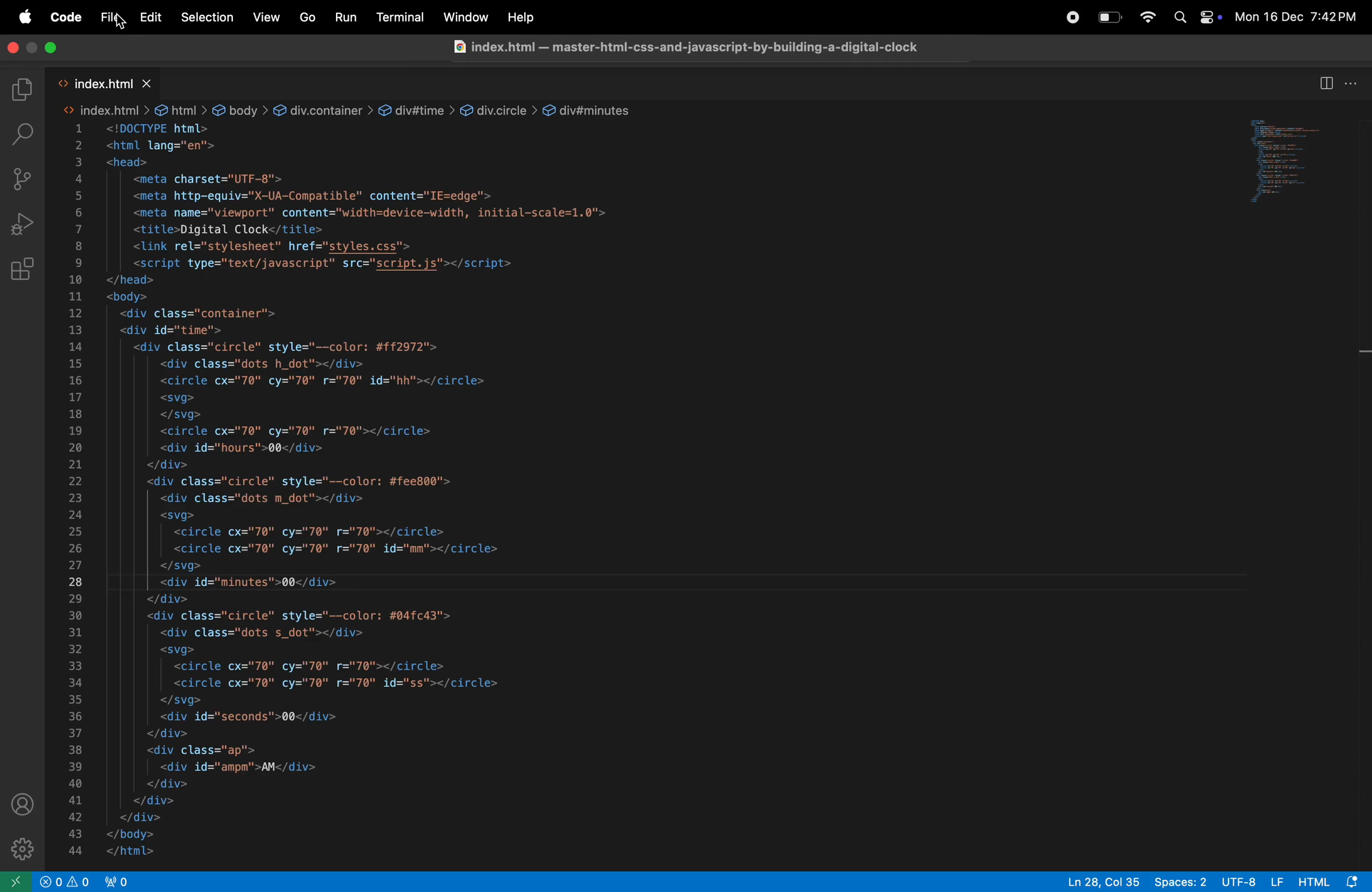  Describe the element at coordinates (1147, 18) in the screenshot. I see `wifi` at that location.